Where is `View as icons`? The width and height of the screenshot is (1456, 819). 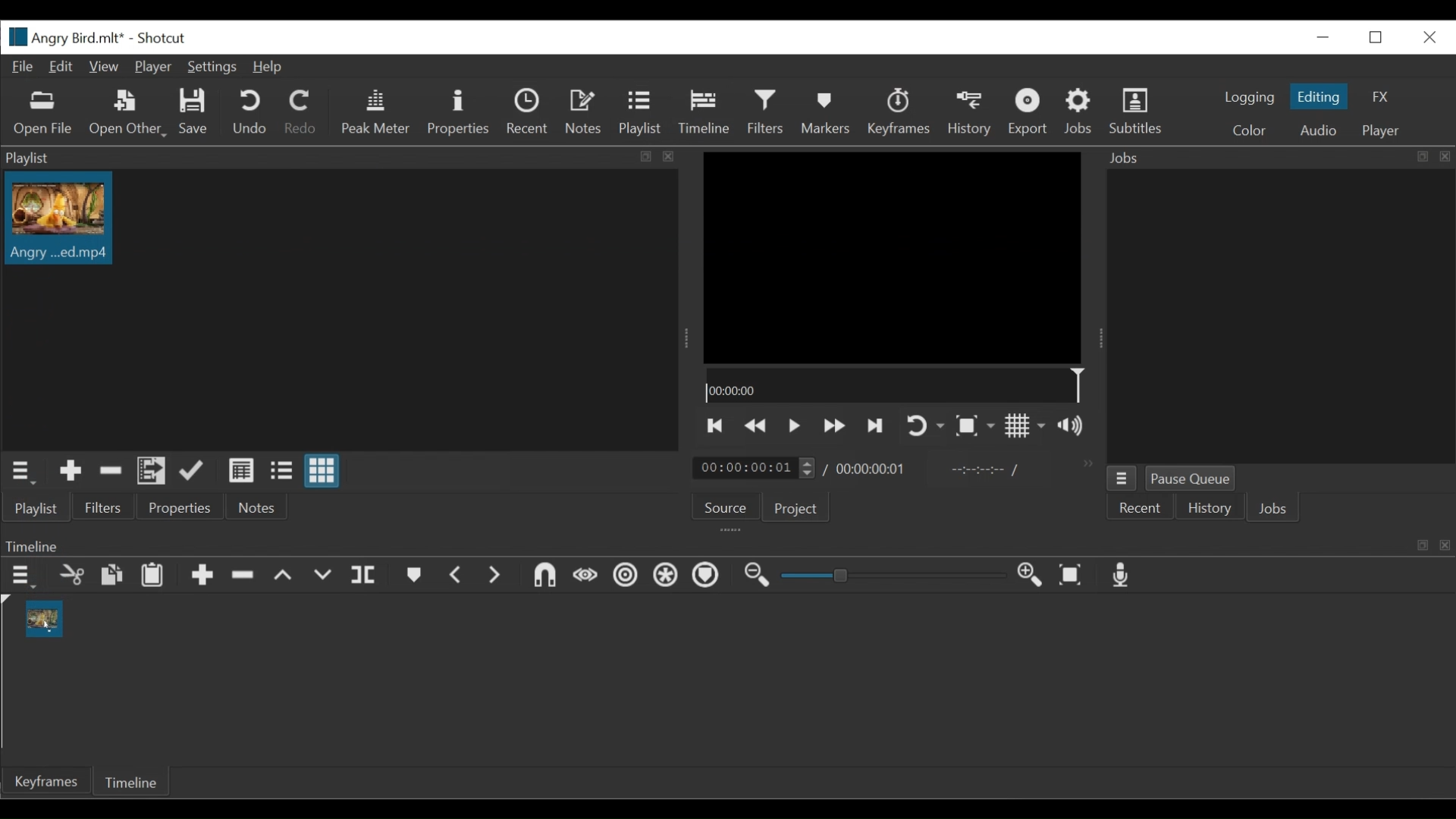
View as icons is located at coordinates (321, 472).